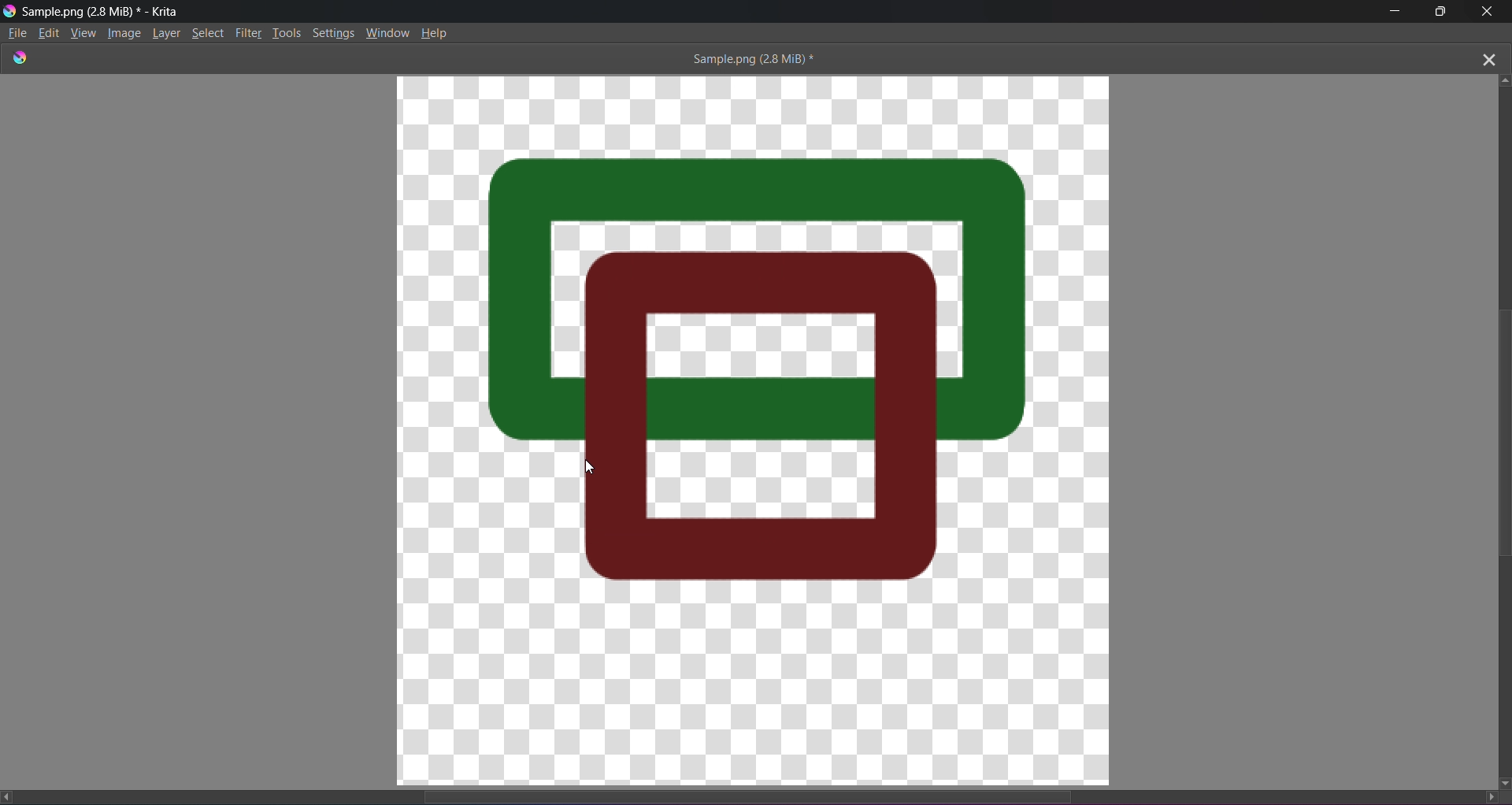 The height and width of the screenshot is (805, 1512). I want to click on Horizontal scroll bar, so click(762, 792).